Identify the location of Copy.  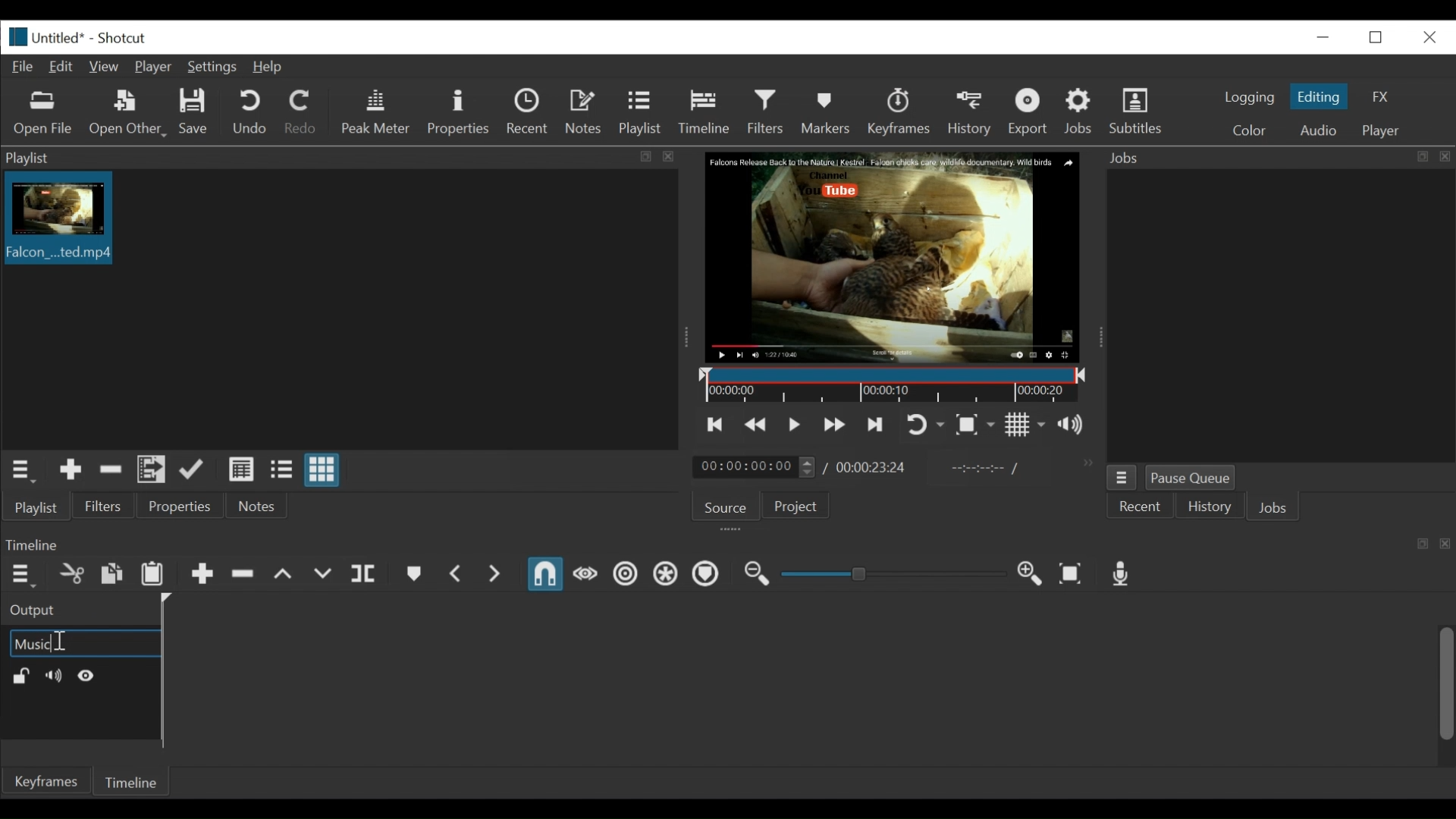
(112, 576).